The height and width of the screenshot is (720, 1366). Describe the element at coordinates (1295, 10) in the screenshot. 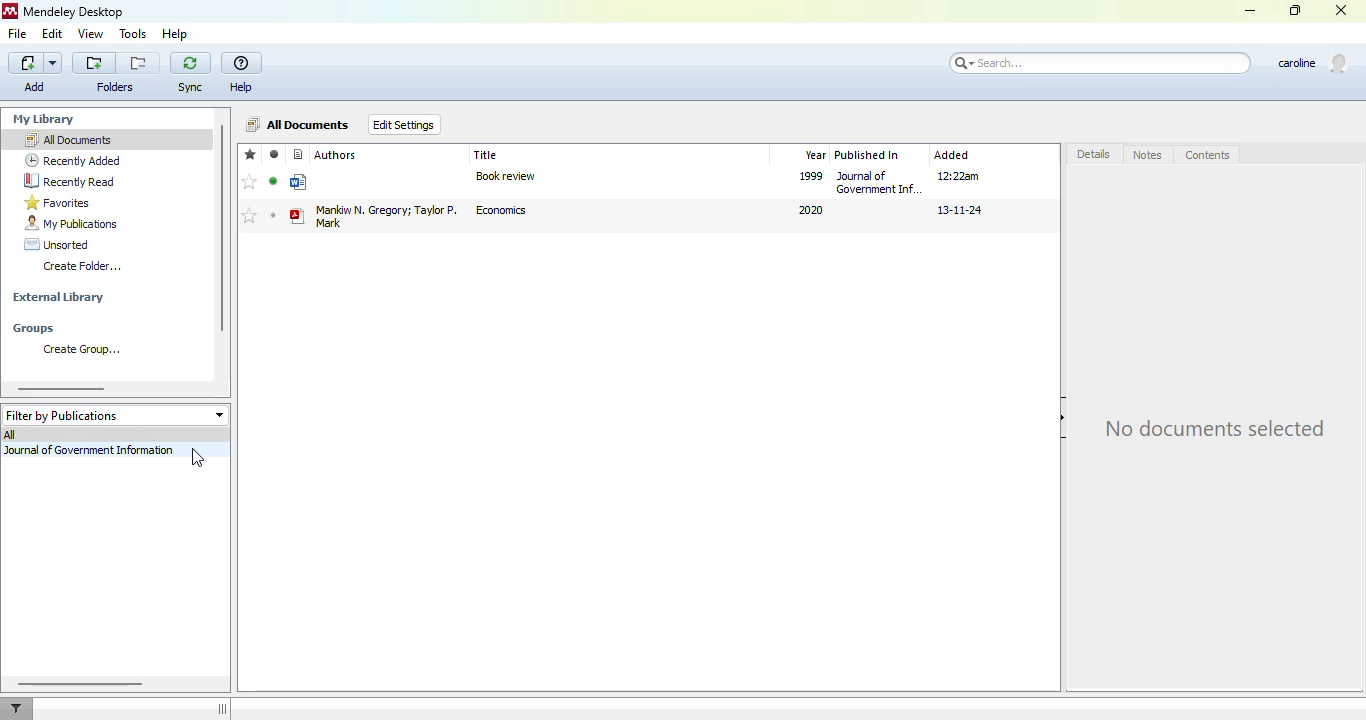

I see `maximize` at that location.